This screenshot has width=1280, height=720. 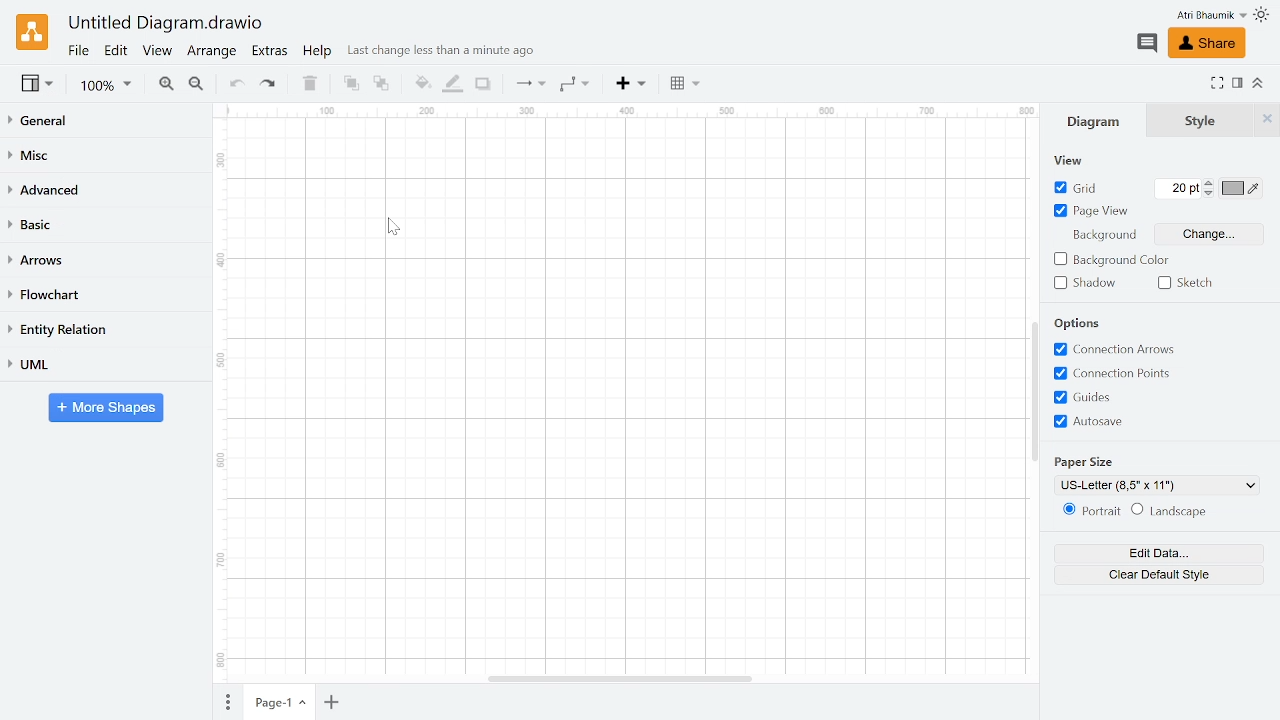 I want to click on view, so click(x=1066, y=161).